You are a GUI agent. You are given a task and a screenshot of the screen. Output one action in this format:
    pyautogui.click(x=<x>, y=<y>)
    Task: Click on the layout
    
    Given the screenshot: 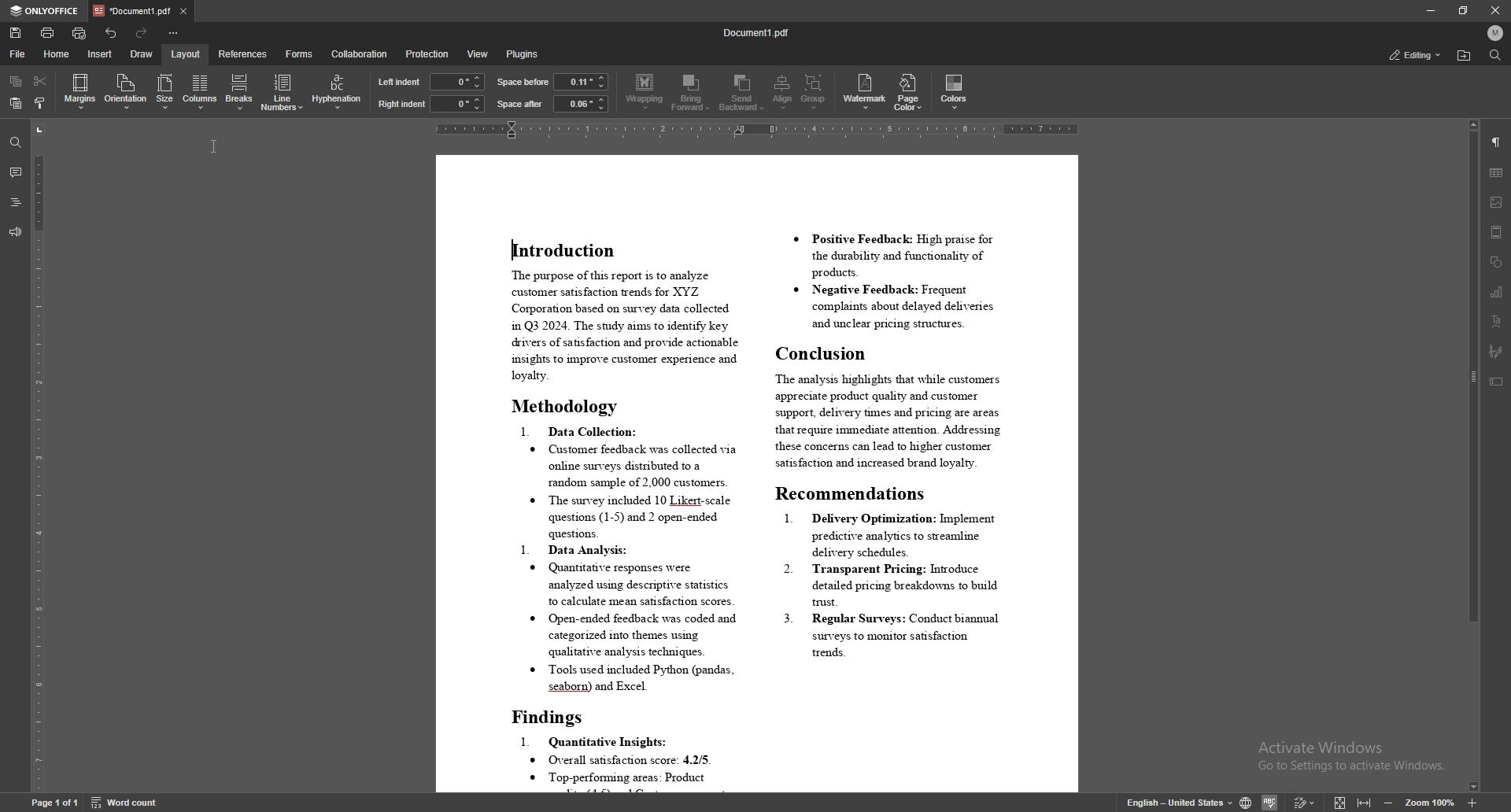 What is the action you would take?
    pyautogui.click(x=187, y=54)
    